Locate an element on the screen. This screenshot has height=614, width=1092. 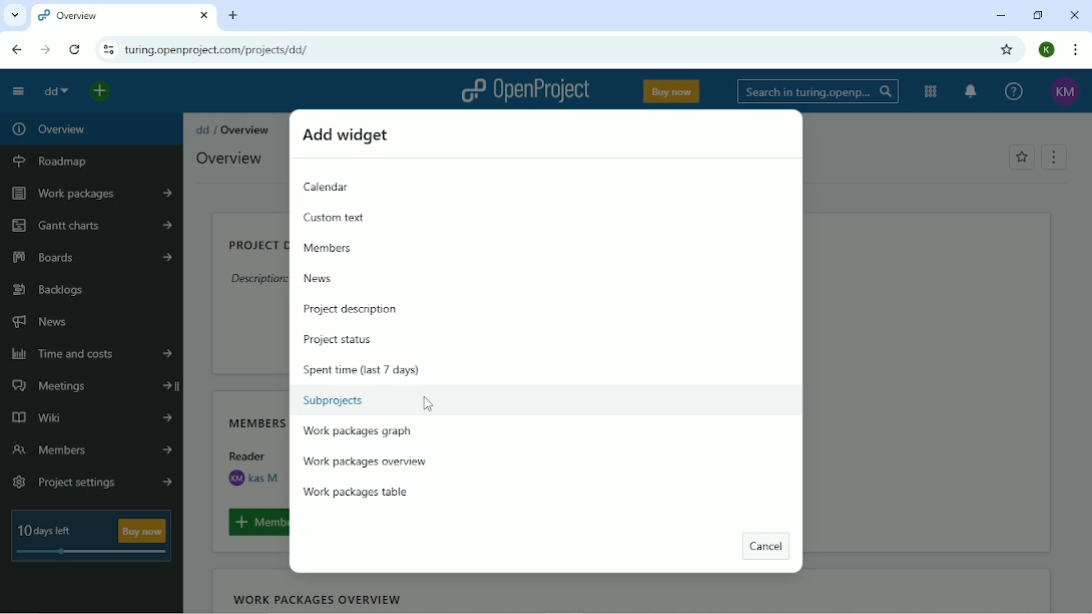
OpenProject is located at coordinates (527, 91).